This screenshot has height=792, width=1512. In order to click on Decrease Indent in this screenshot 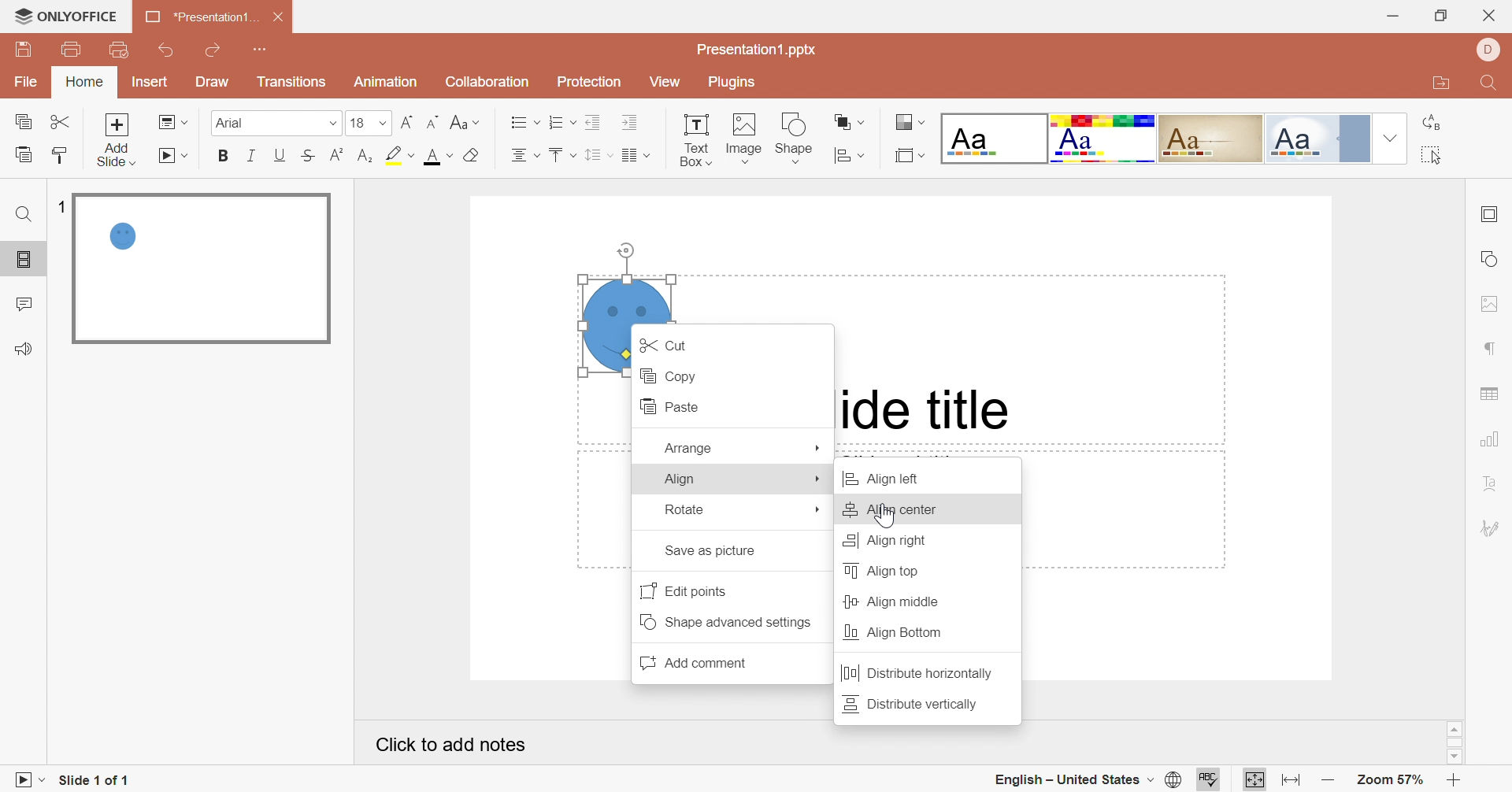, I will do `click(596, 121)`.